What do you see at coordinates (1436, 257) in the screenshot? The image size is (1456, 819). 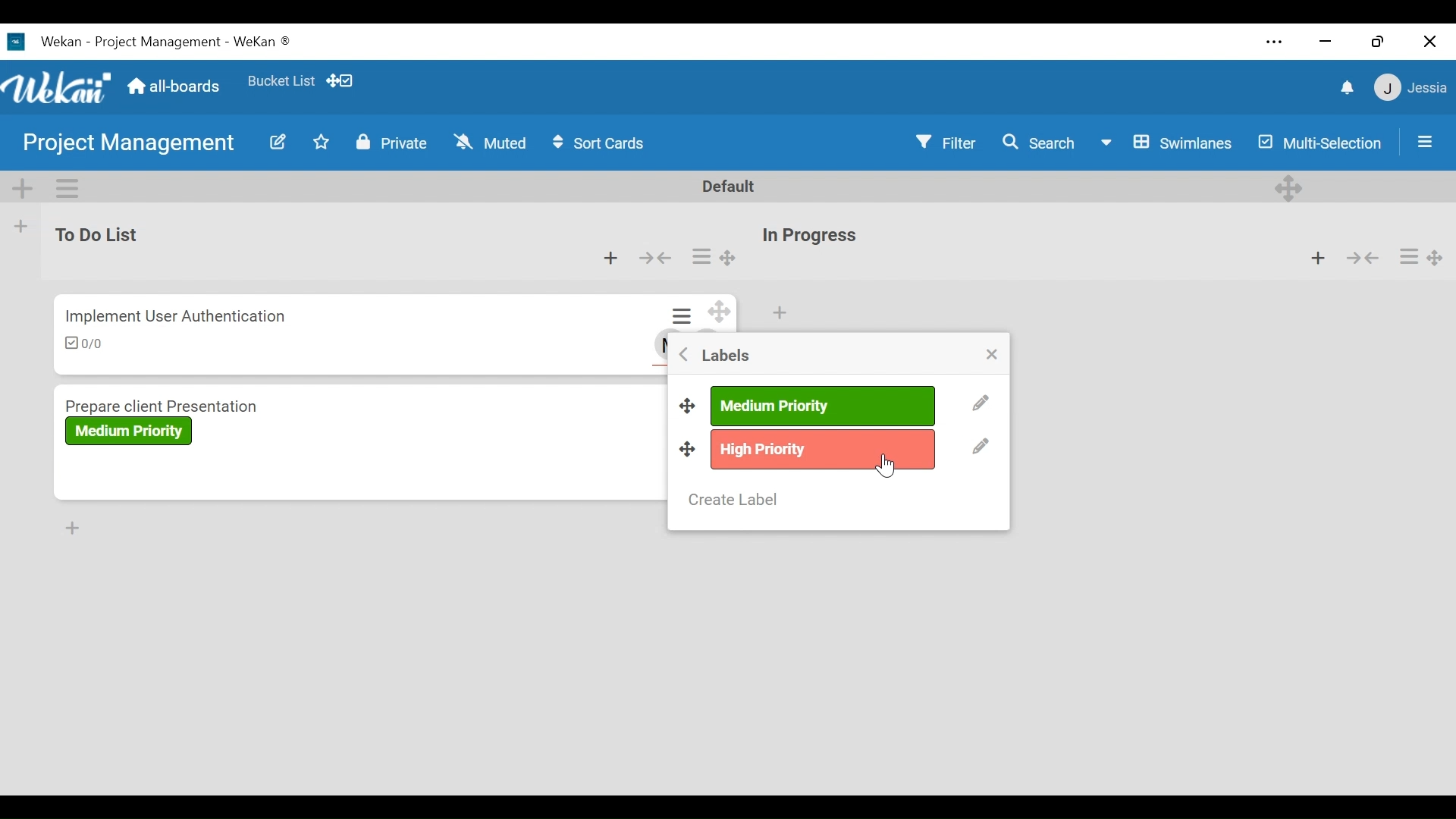 I see `Desktop drag handle` at bounding box center [1436, 257].